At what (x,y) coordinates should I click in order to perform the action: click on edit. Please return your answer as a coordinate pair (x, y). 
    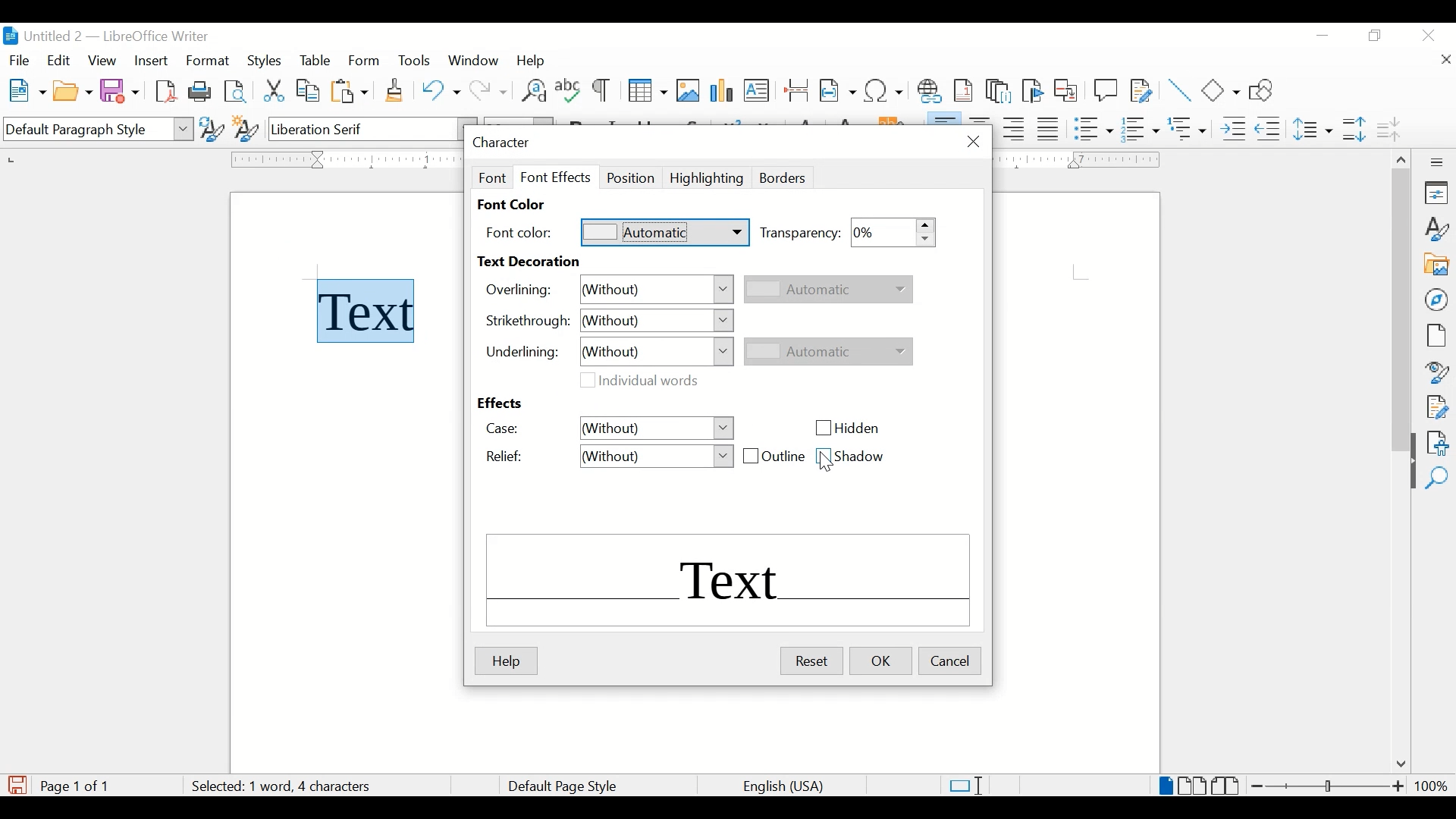
    Looking at the image, I should click on (60, 60).